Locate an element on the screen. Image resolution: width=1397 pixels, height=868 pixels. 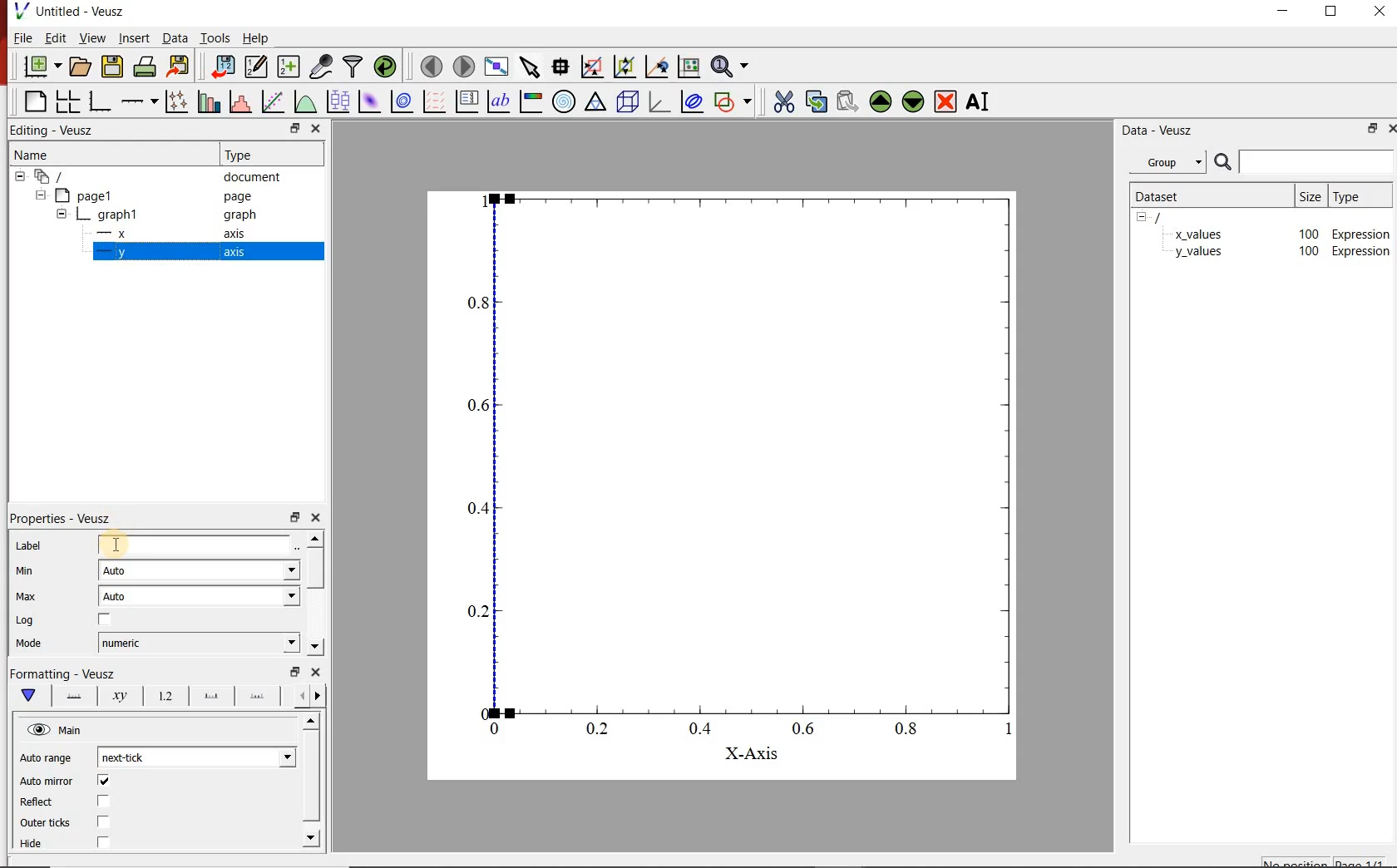
—x is located at coordinates (116, 232).